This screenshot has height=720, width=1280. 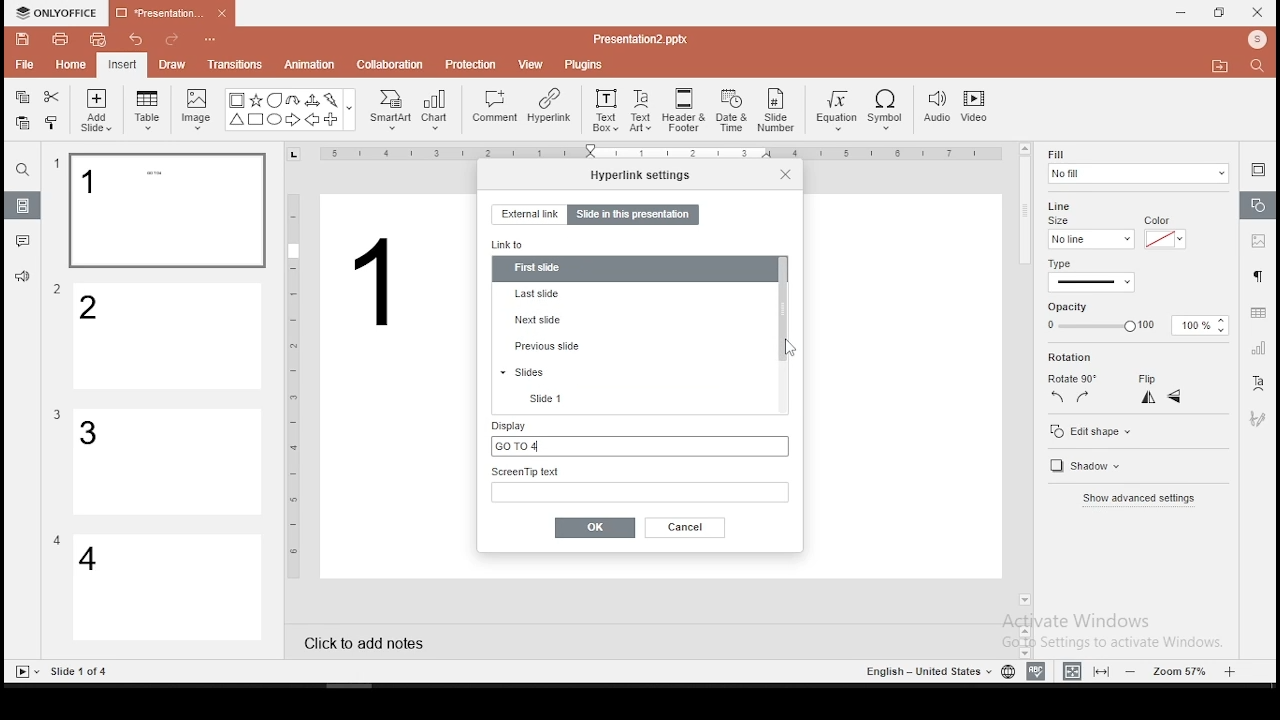 I want to click on , so click(x=57, y=415).